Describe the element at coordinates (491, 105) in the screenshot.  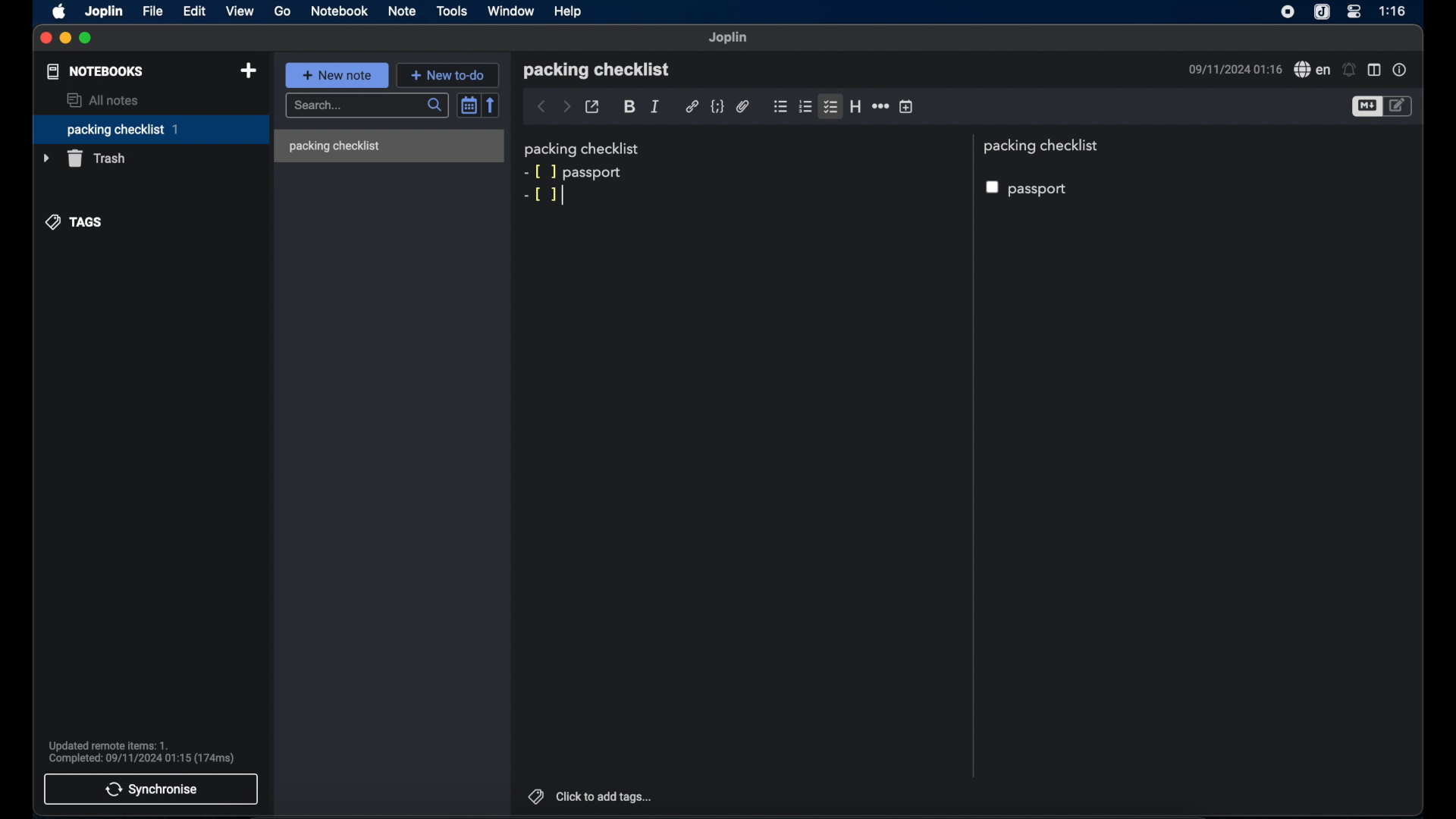
I see `reverse sort order` at that location.